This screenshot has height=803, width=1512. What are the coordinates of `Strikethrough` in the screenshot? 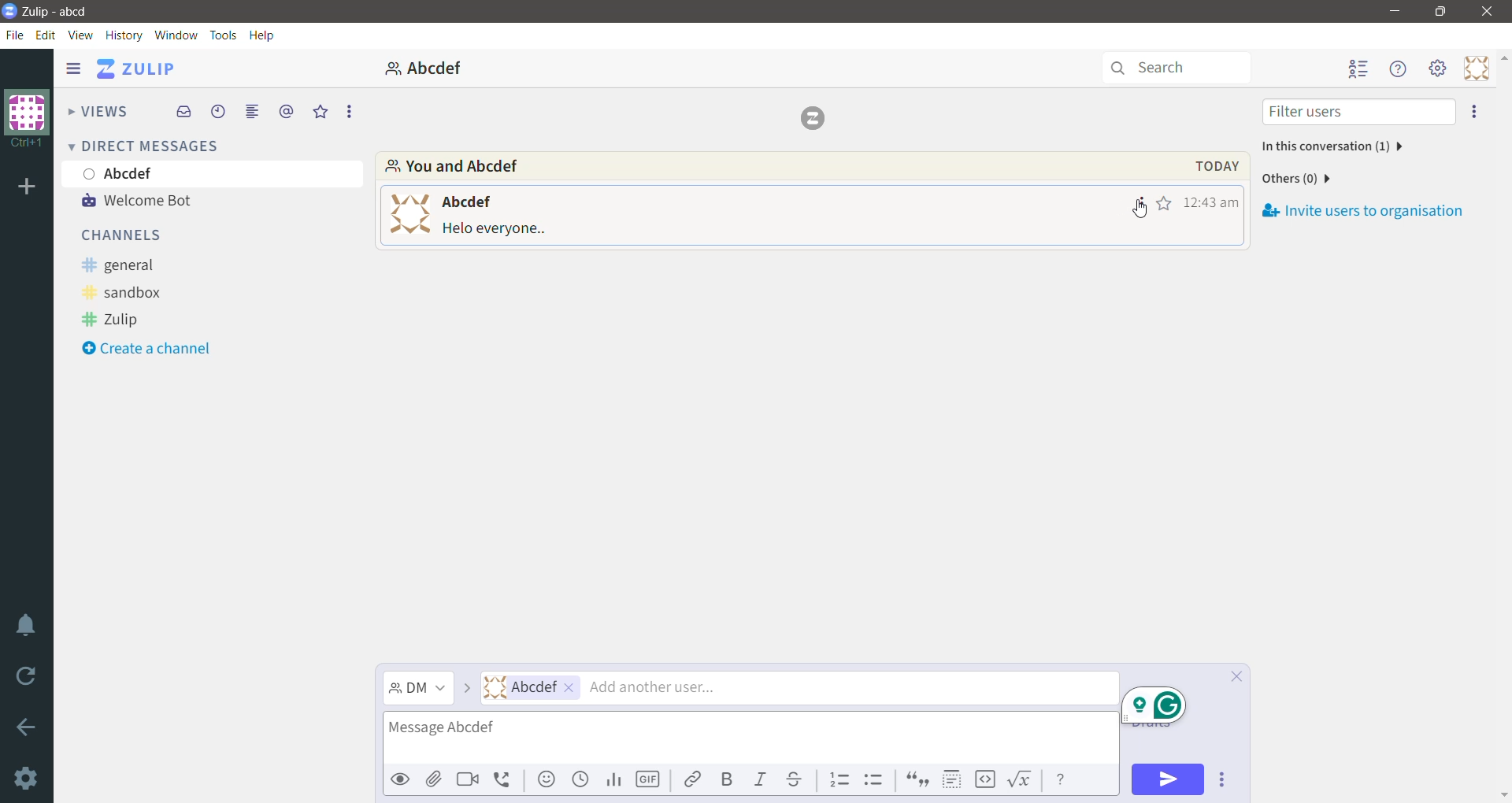 It's located at (795, 779).